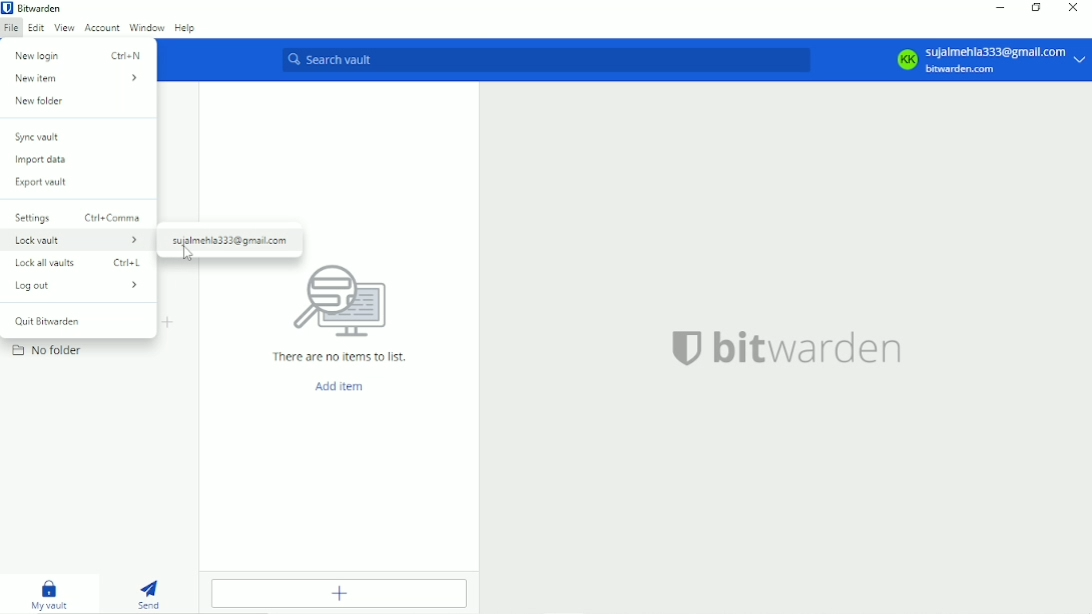  Describe the element at coordinates (39, 138) in the screenshot. I see `Sync vault` at that location.